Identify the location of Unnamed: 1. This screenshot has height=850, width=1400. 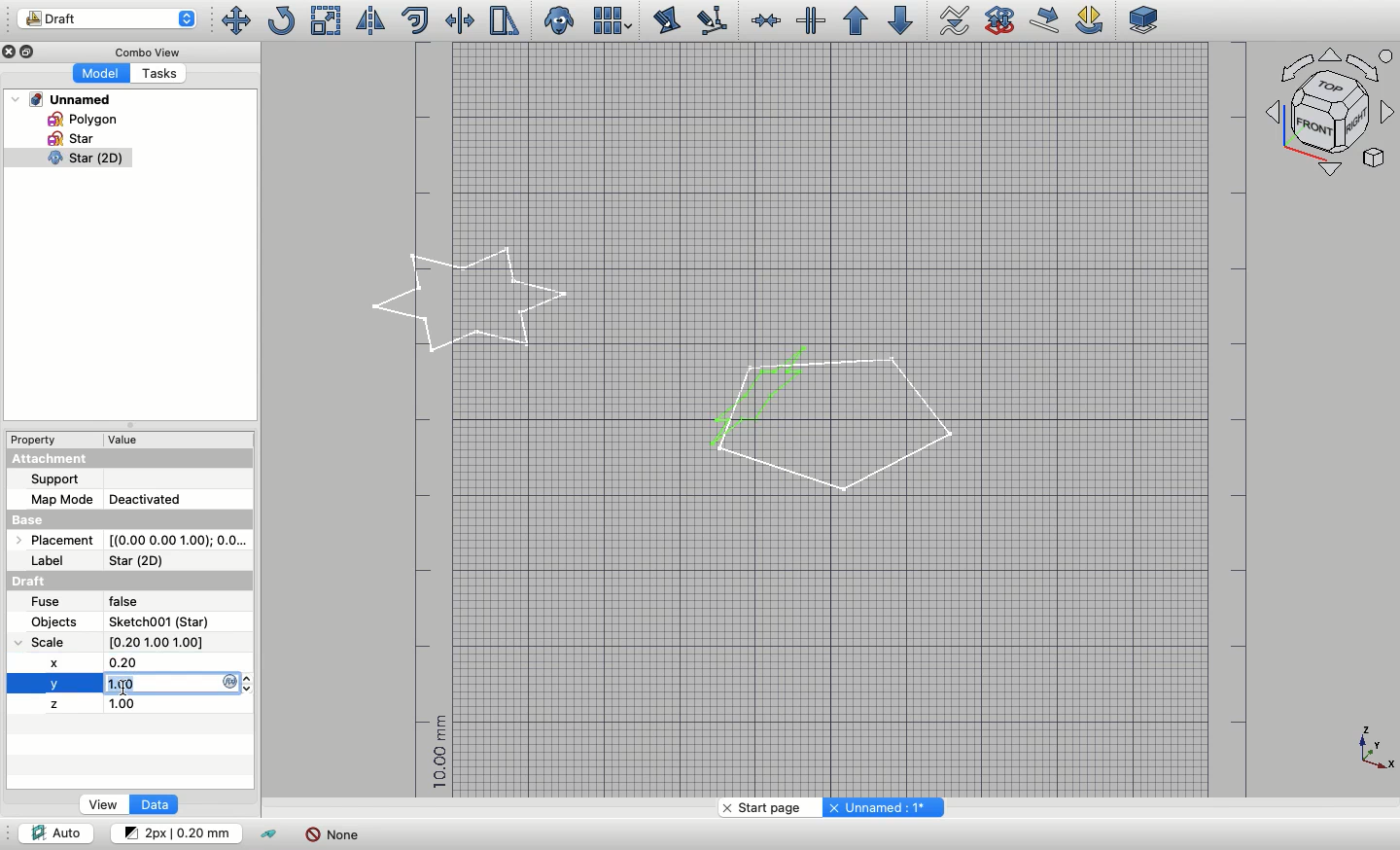
(881, 807).